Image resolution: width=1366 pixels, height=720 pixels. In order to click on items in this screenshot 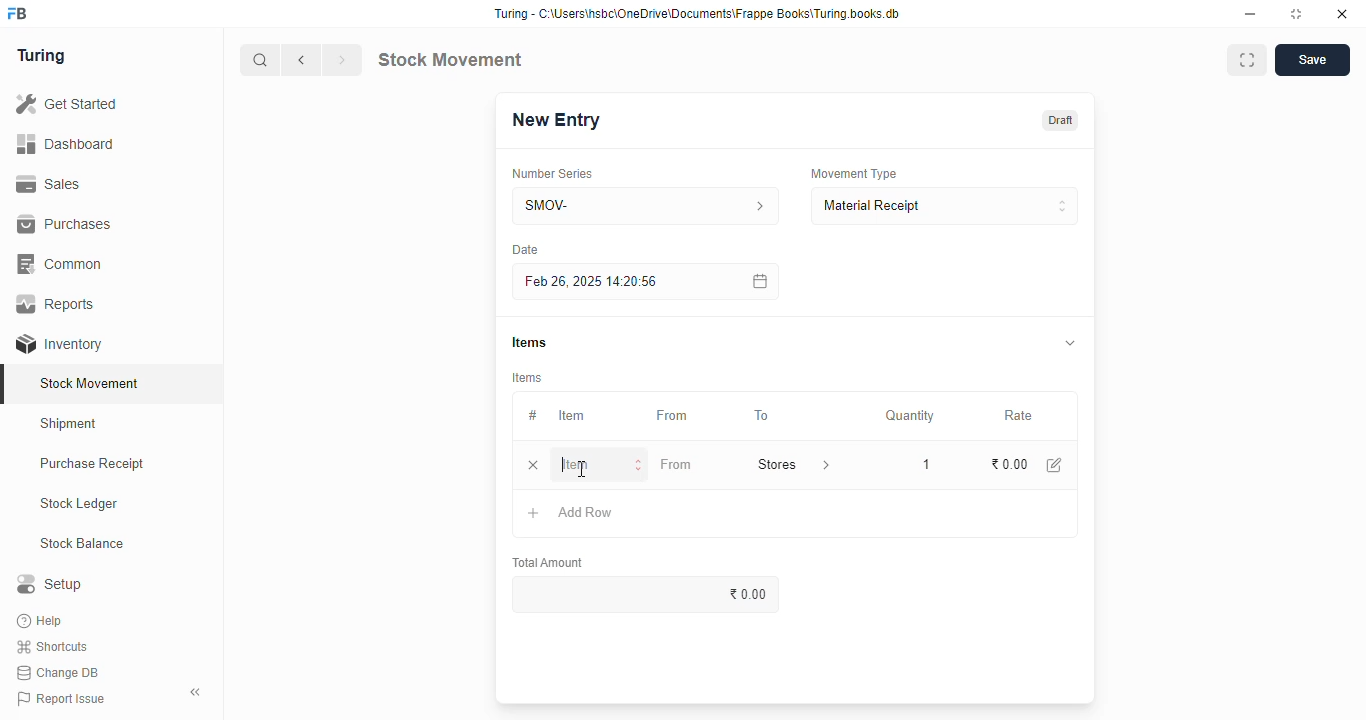, I will do `click(528, 378)`.